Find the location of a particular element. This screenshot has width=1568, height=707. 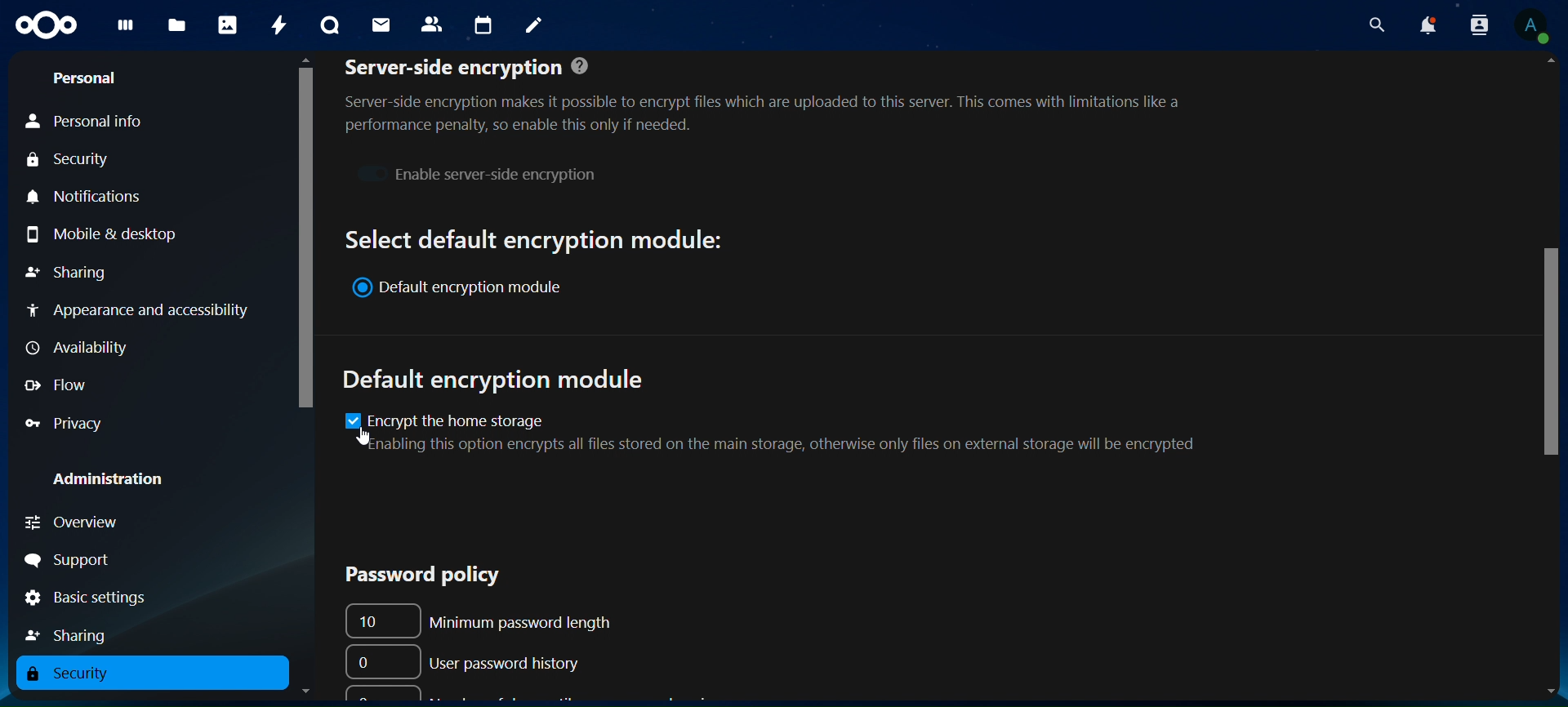

dashboard is located at coordinates (122, 29).